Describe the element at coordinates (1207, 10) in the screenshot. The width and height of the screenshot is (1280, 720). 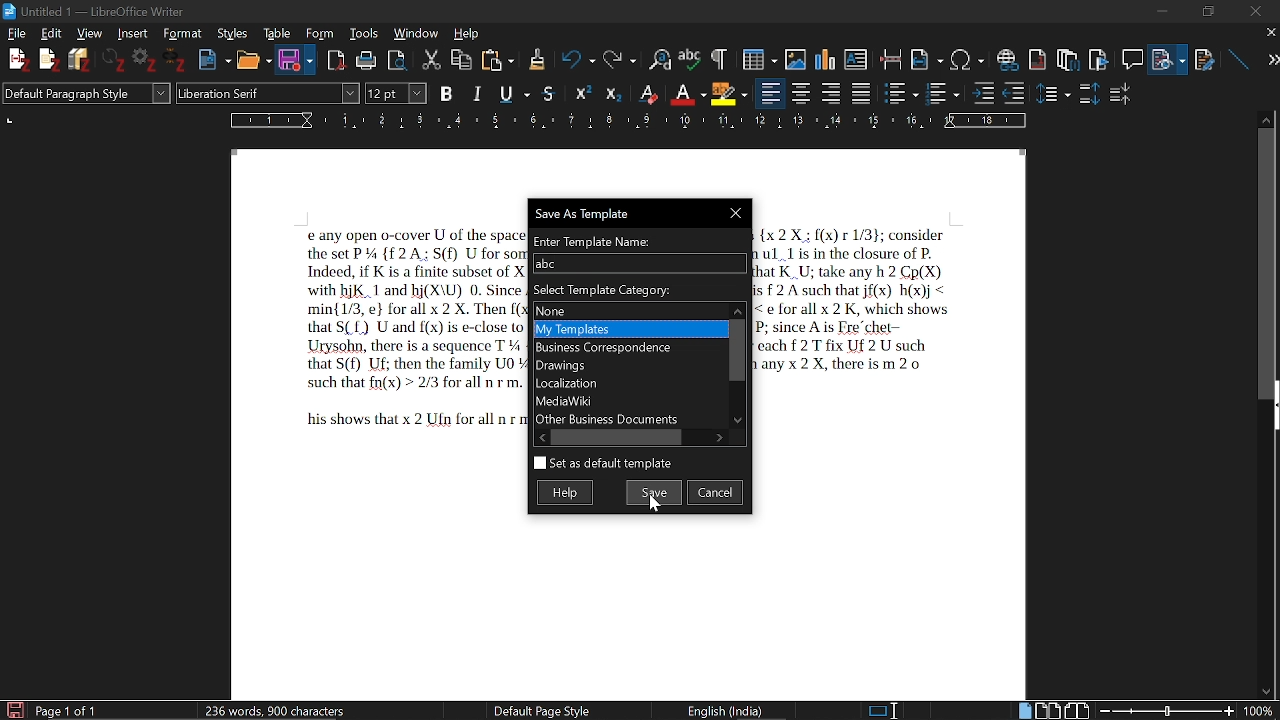
I see `maximize` at that location.